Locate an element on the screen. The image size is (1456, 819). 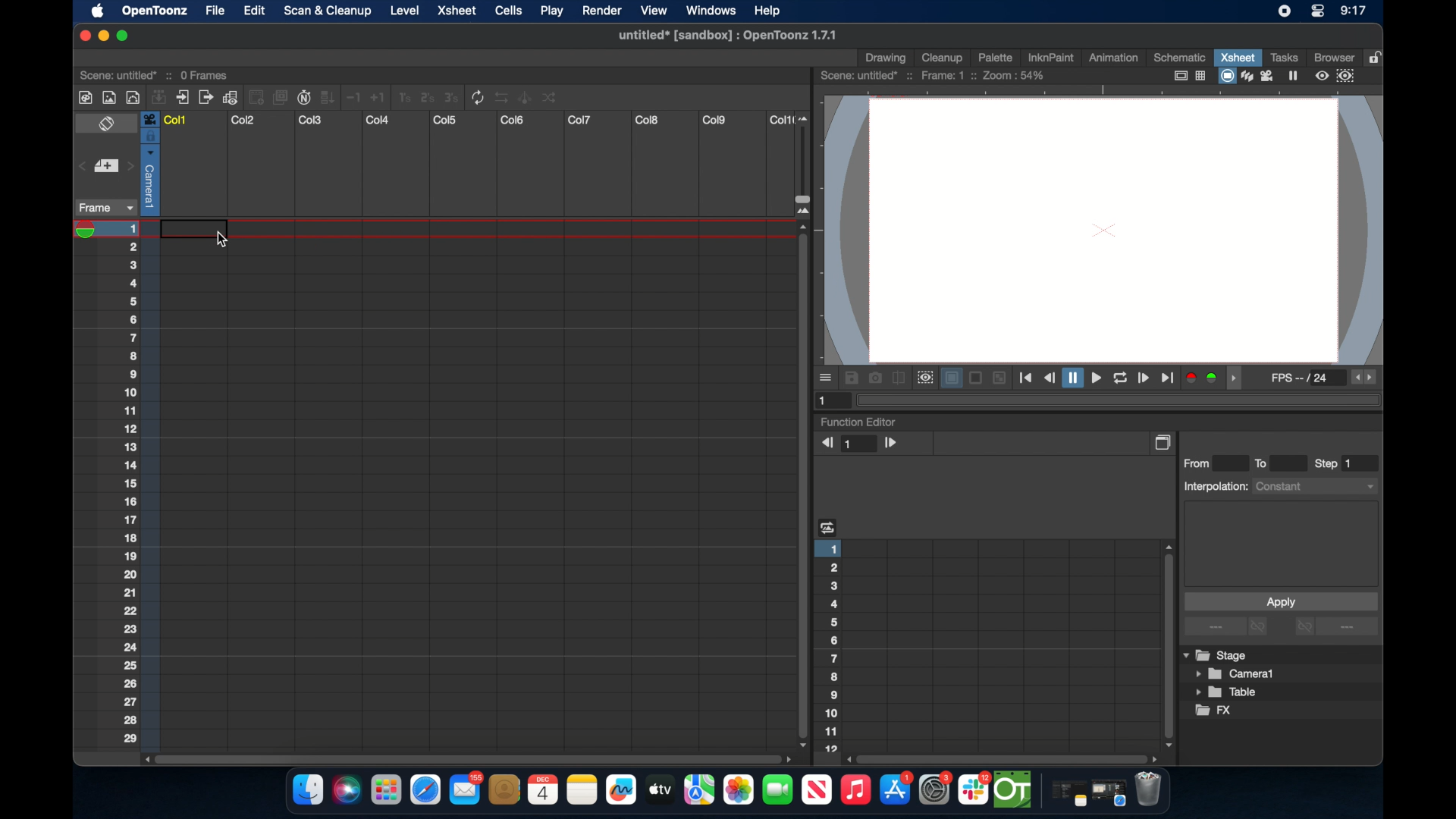
save is located at coordinates (852, 378).